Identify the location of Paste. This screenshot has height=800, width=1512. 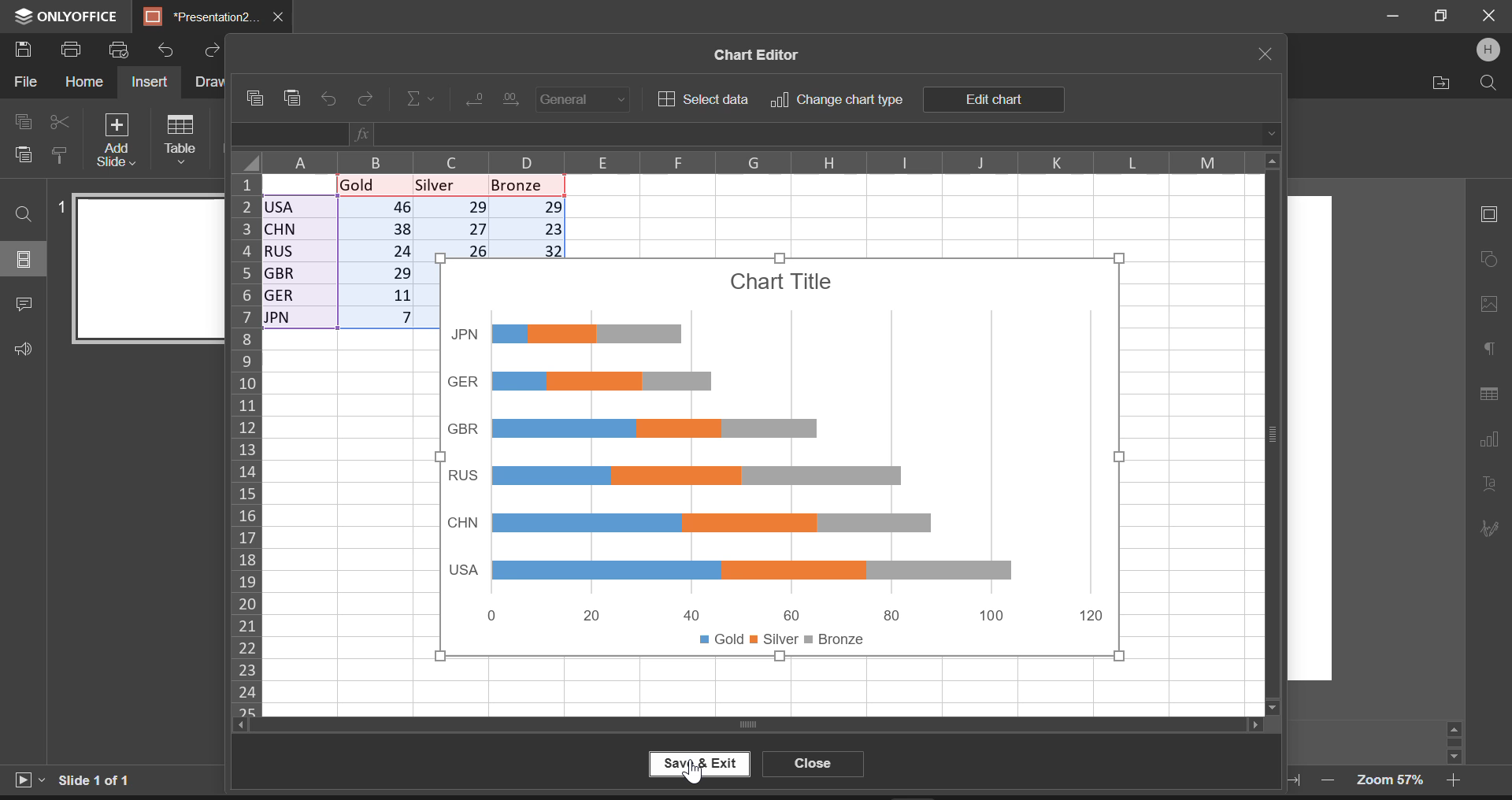
(24, 157).